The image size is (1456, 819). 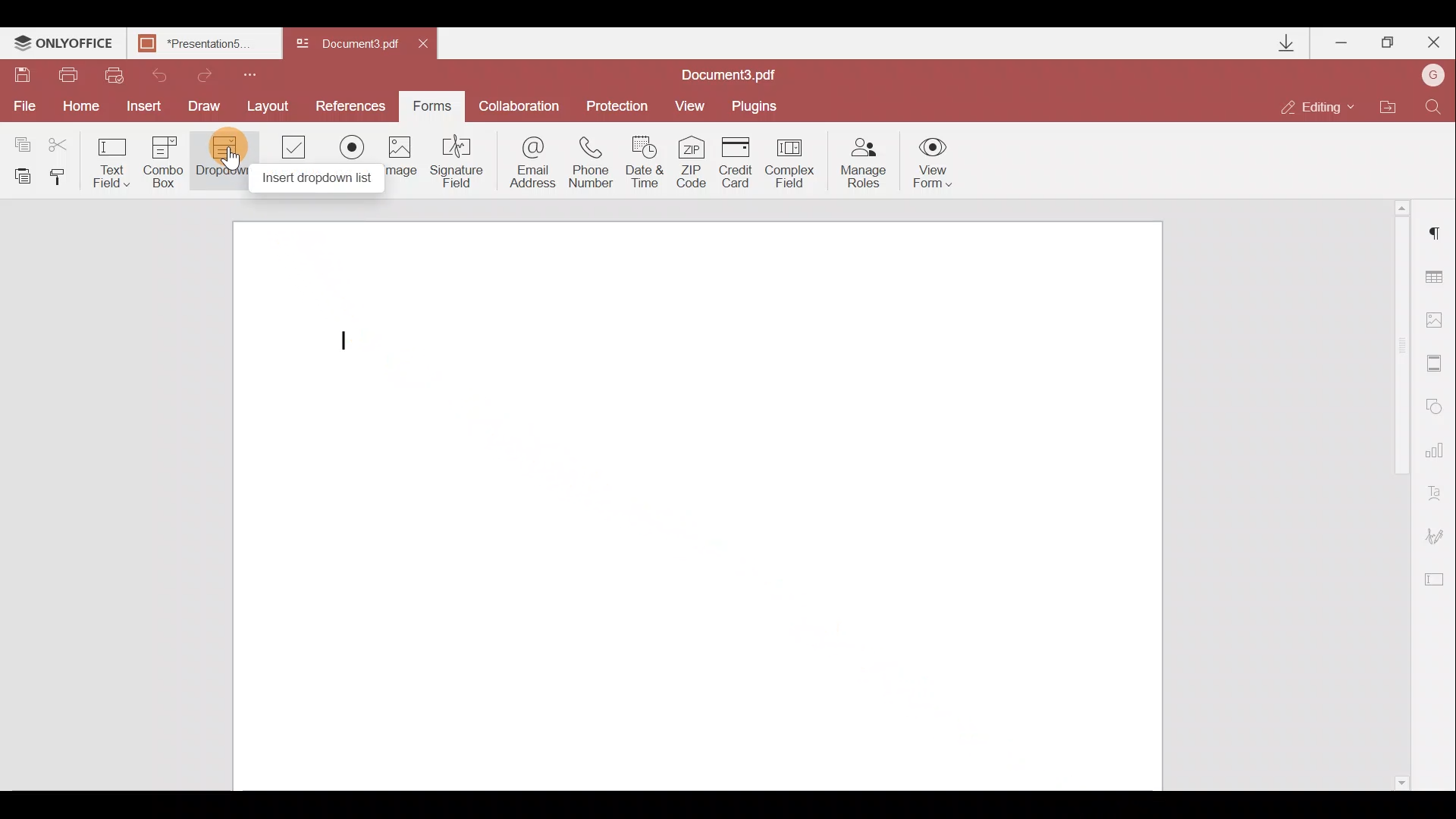 I want to click on text cursor, so click(x=348, y=340).